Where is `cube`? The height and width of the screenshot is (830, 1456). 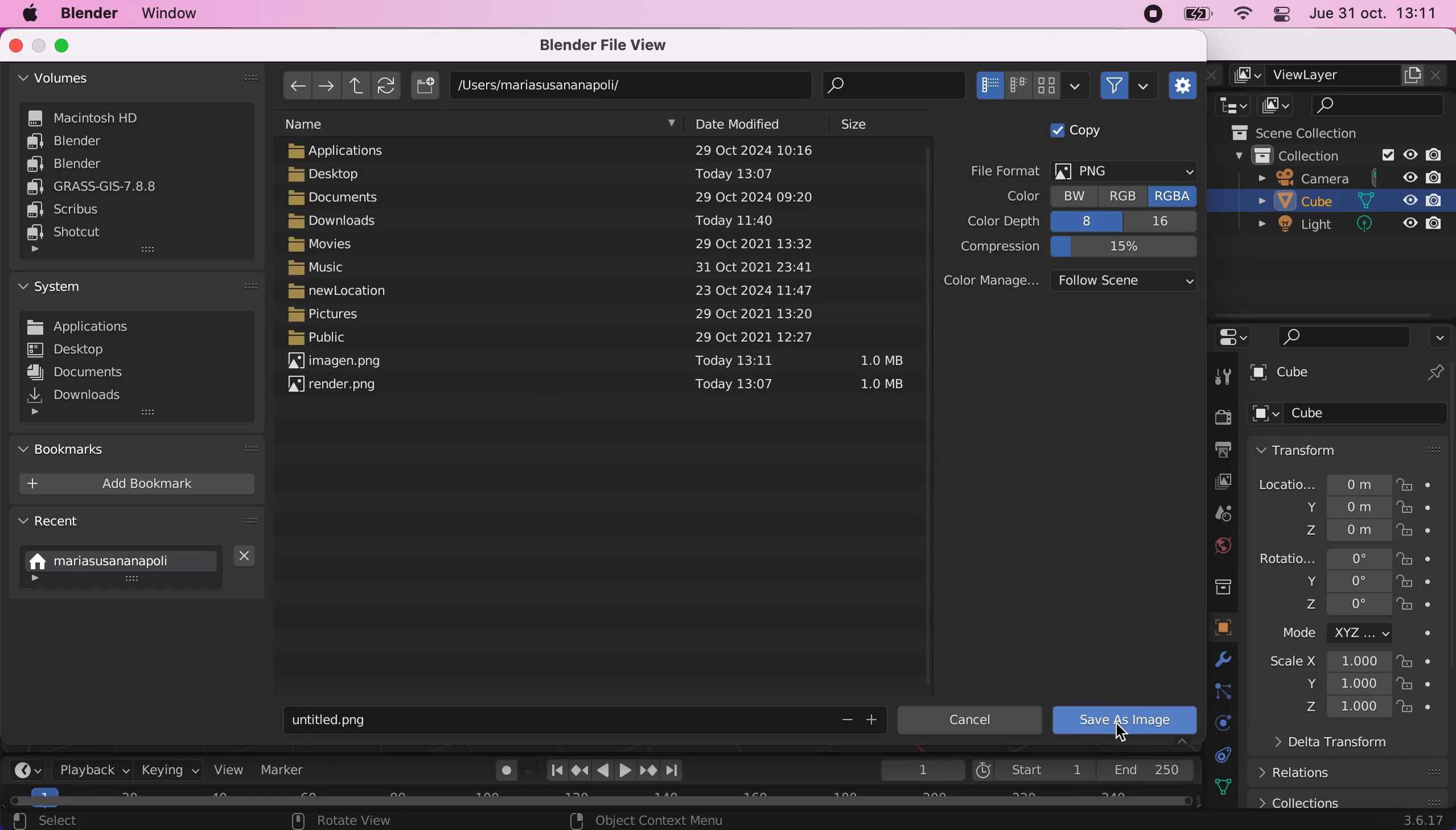 cube is located at coordinates (1351, 374).